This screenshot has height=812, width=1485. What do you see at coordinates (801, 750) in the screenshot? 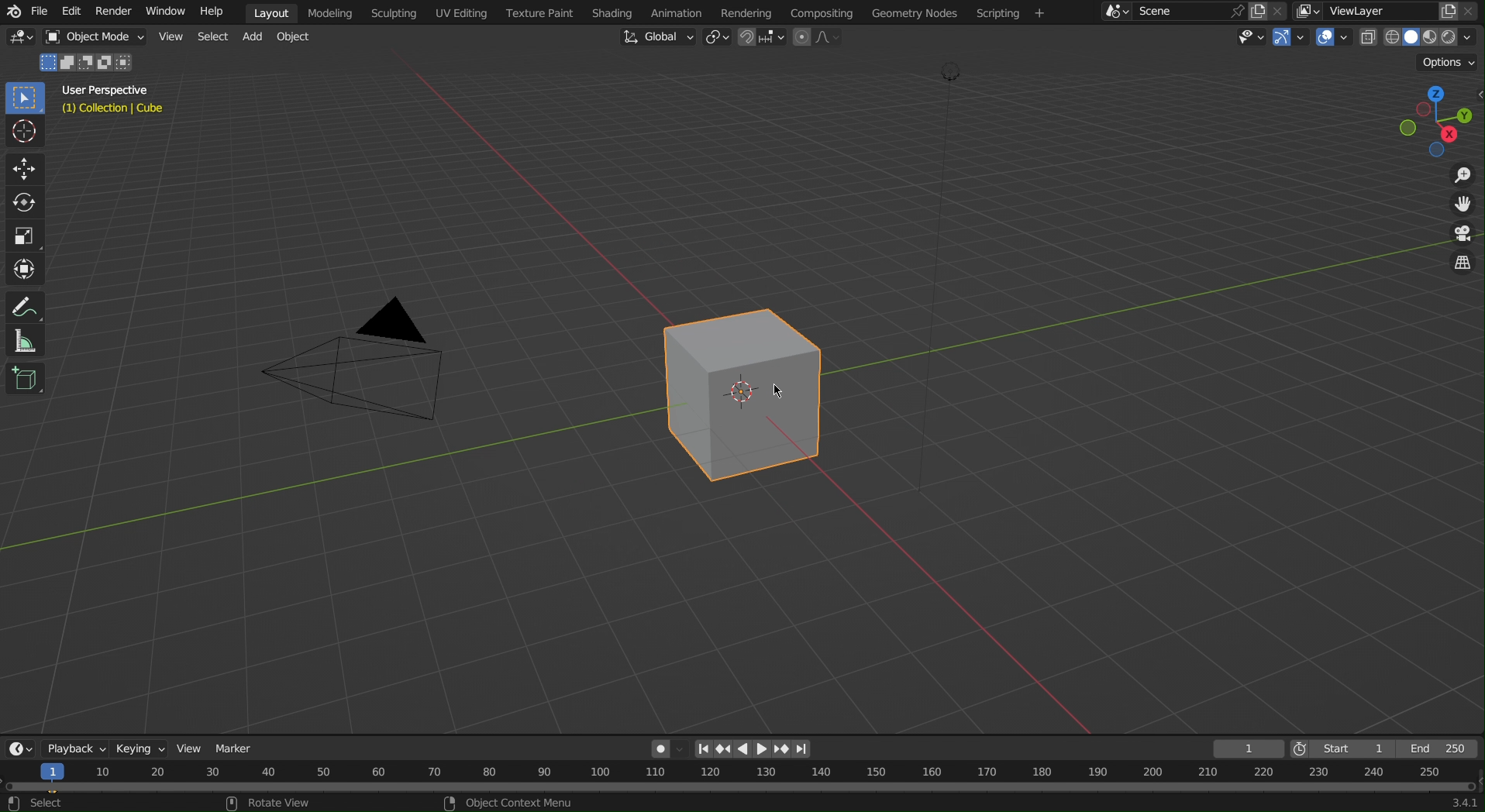
I see `Last page` at bounding box center [801, 750].